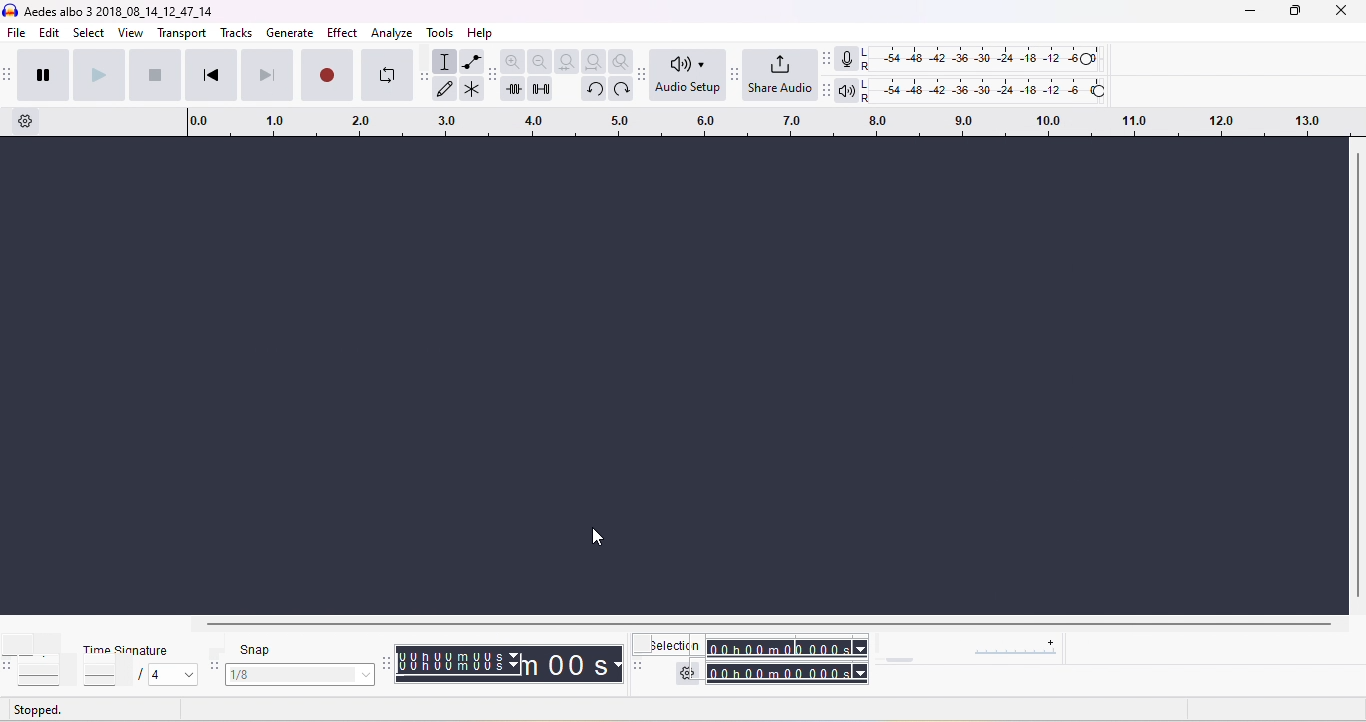 Image resolution: width=1366 pixels, height=722 pixels. Describe the element at coordinates (779, 674) in the screenshot. I see `total time` at that location.